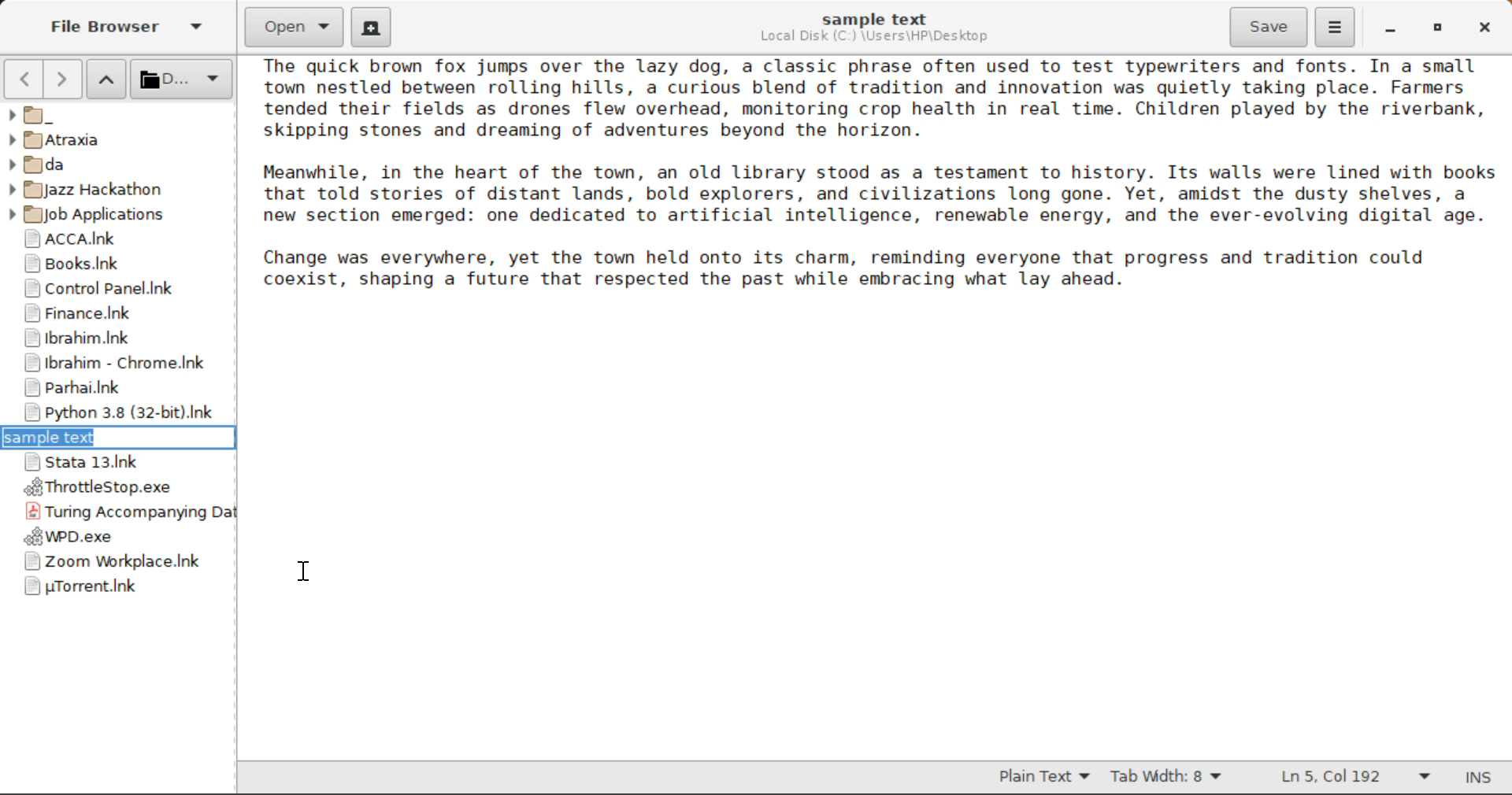 This screenshot has height=795, width=1512. What do you see at coordinates (1336, 26) in the screenshot?
I see `More Options` at bounding box center [1336, 26].